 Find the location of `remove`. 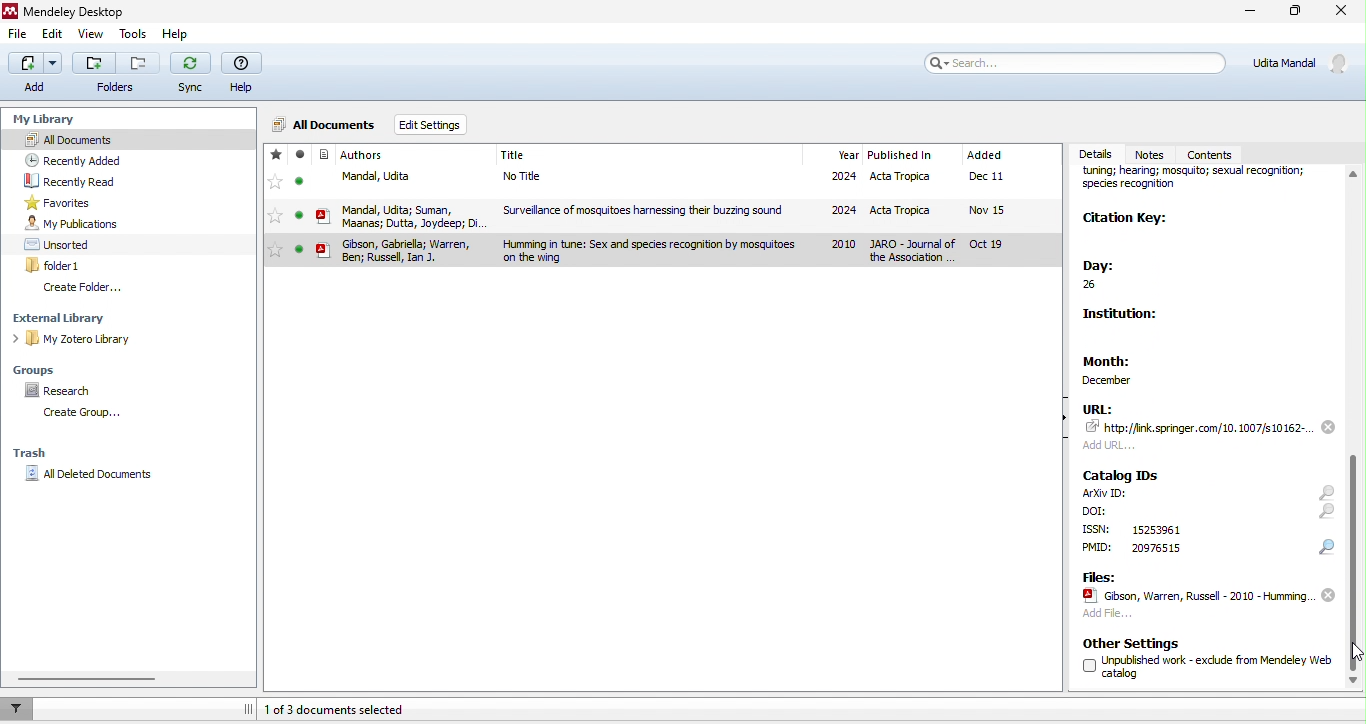

remove is located at coordinates (1328, 426).